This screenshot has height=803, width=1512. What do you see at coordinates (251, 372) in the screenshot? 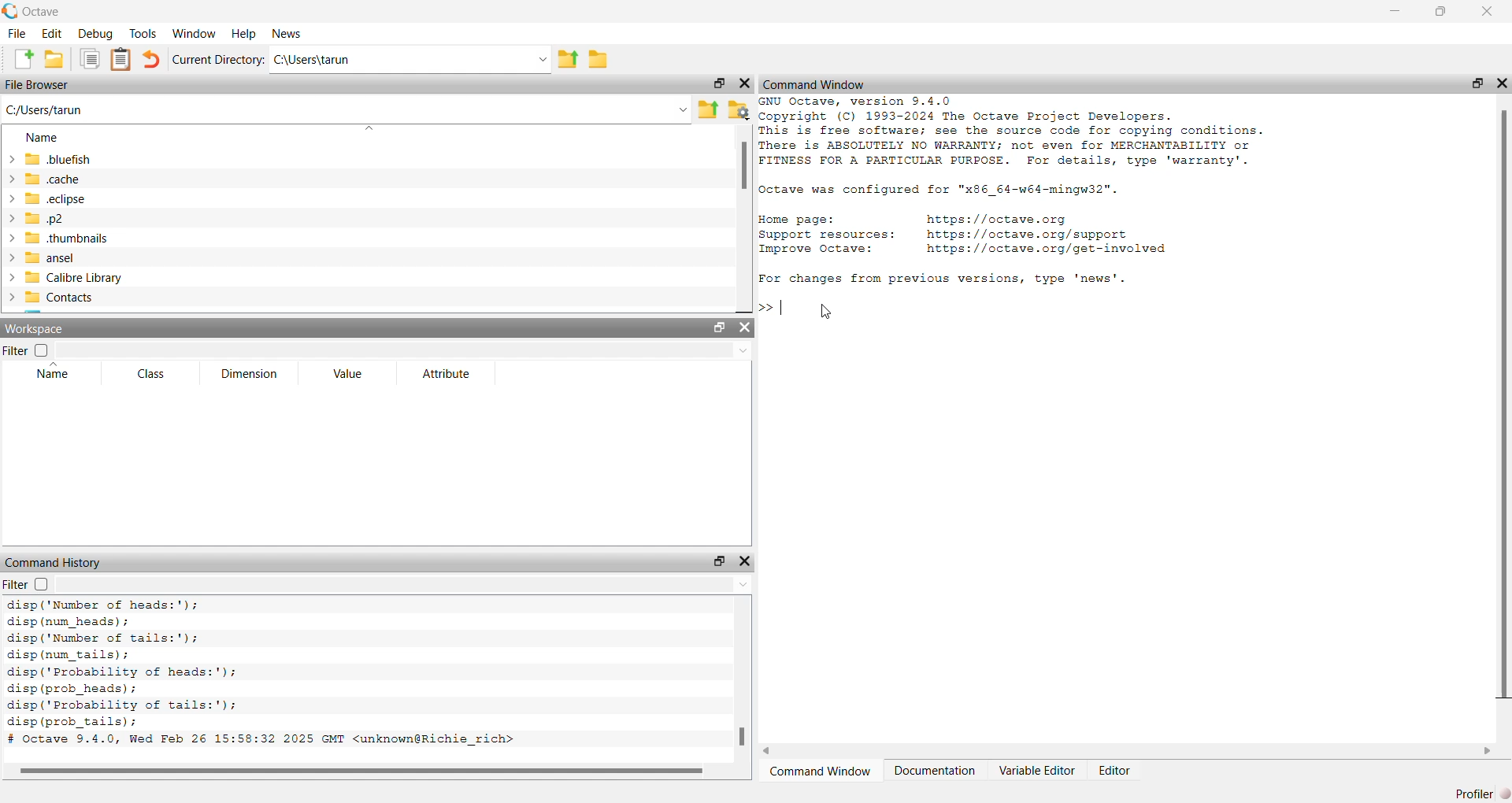
I see `Dimension` at bounding box center [251, 372].